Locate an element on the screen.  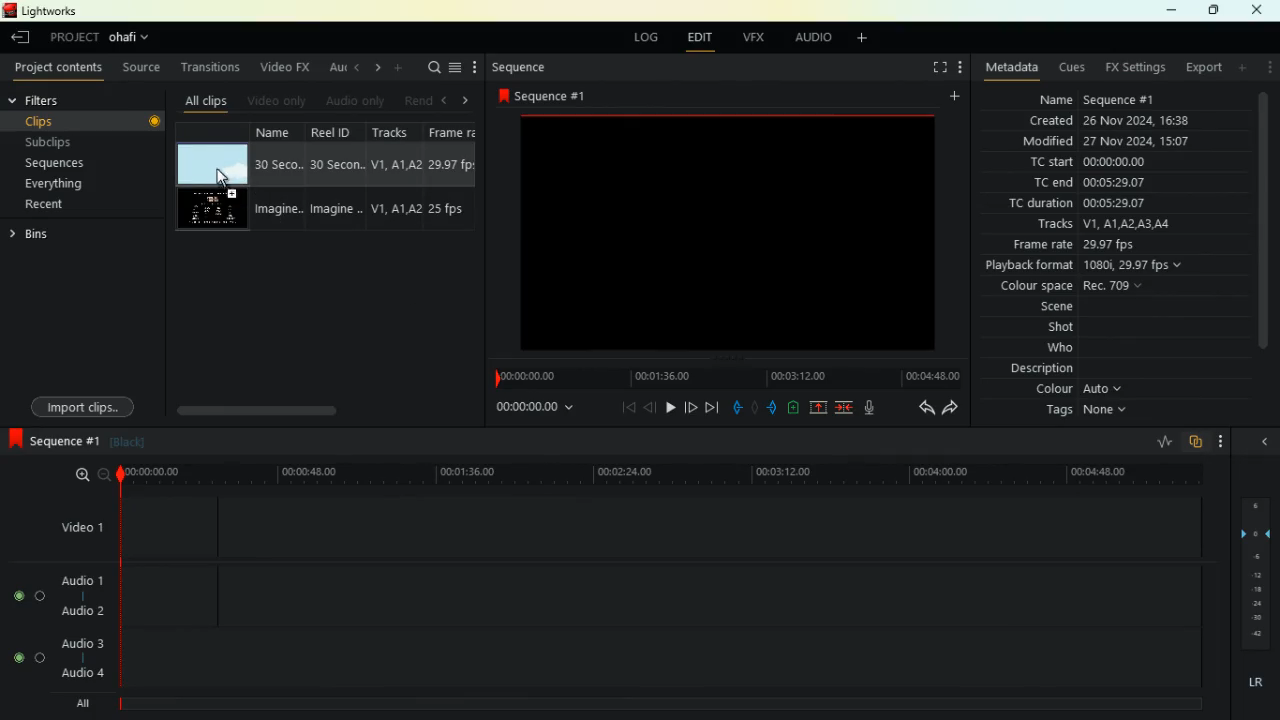
created is located at coordinates (1054, 120).